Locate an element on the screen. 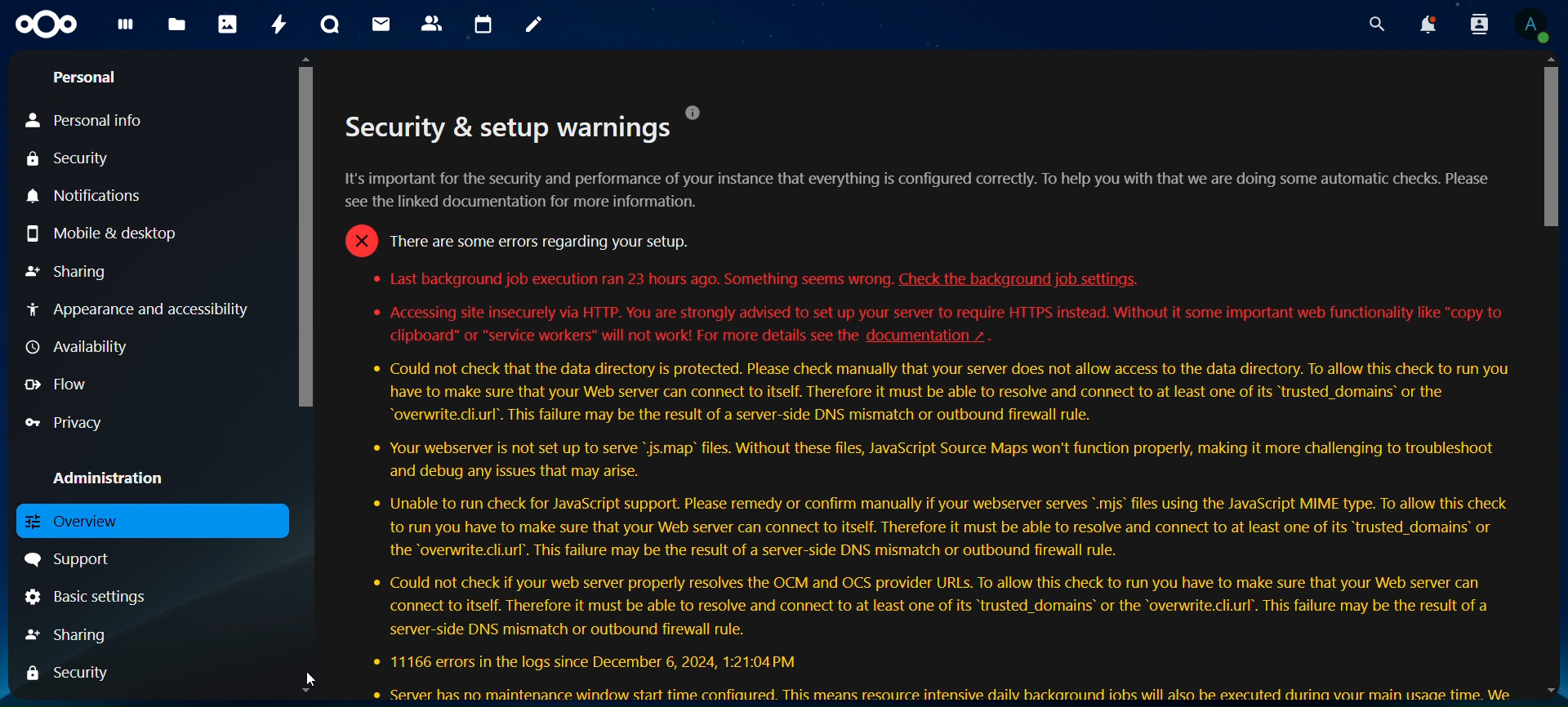  Scrollbar is located at coordinates (307, 377).